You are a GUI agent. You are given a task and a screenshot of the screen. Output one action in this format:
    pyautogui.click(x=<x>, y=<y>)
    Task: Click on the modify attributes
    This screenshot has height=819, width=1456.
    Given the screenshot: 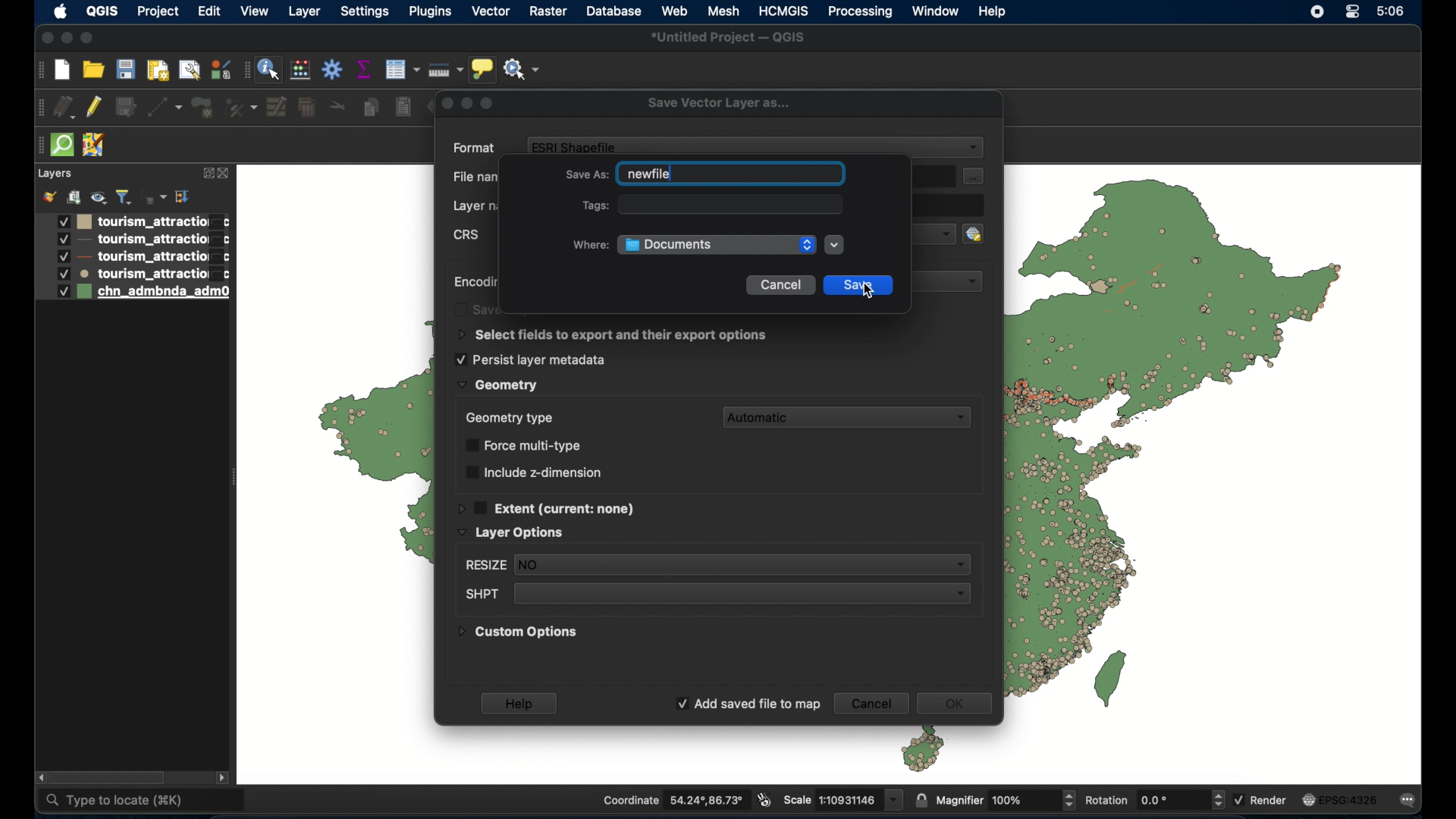 What is the action you would take?
    pyautogui.click(x=277, y=107)
    